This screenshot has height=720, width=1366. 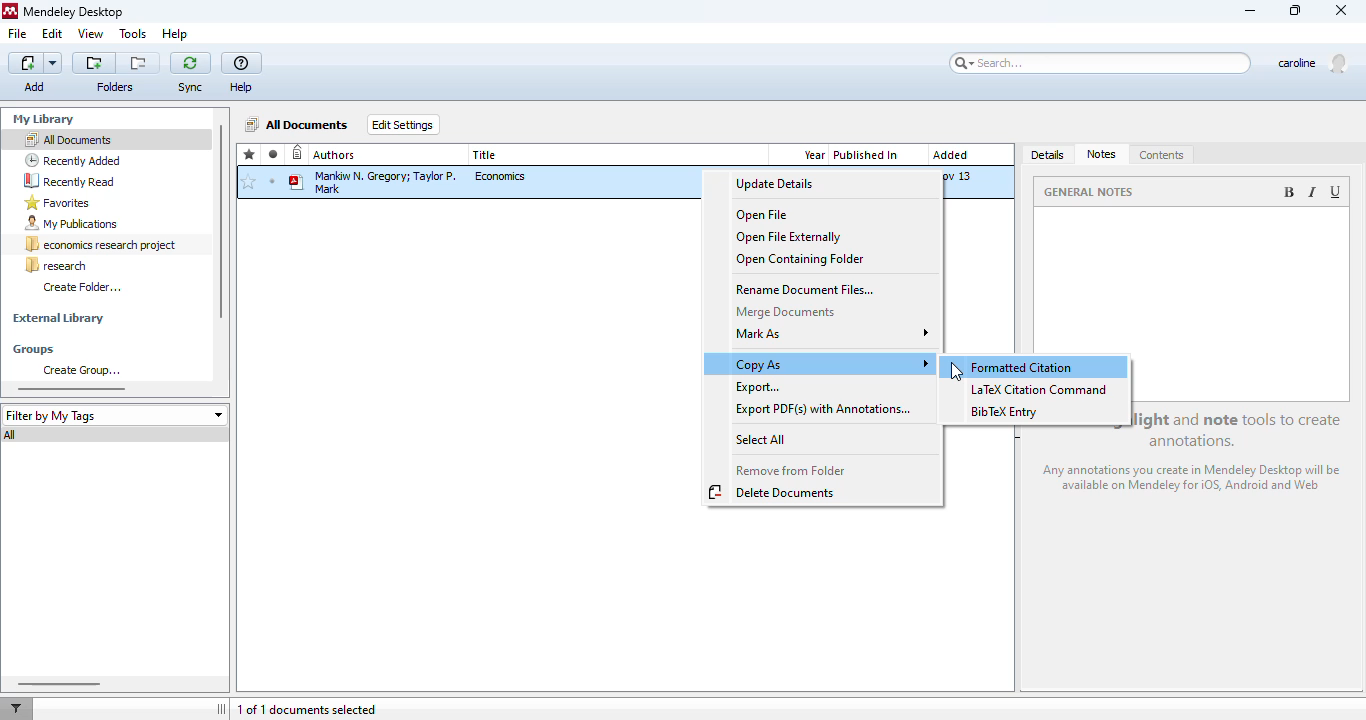 I want to click on research, so click(x=56, y=265).